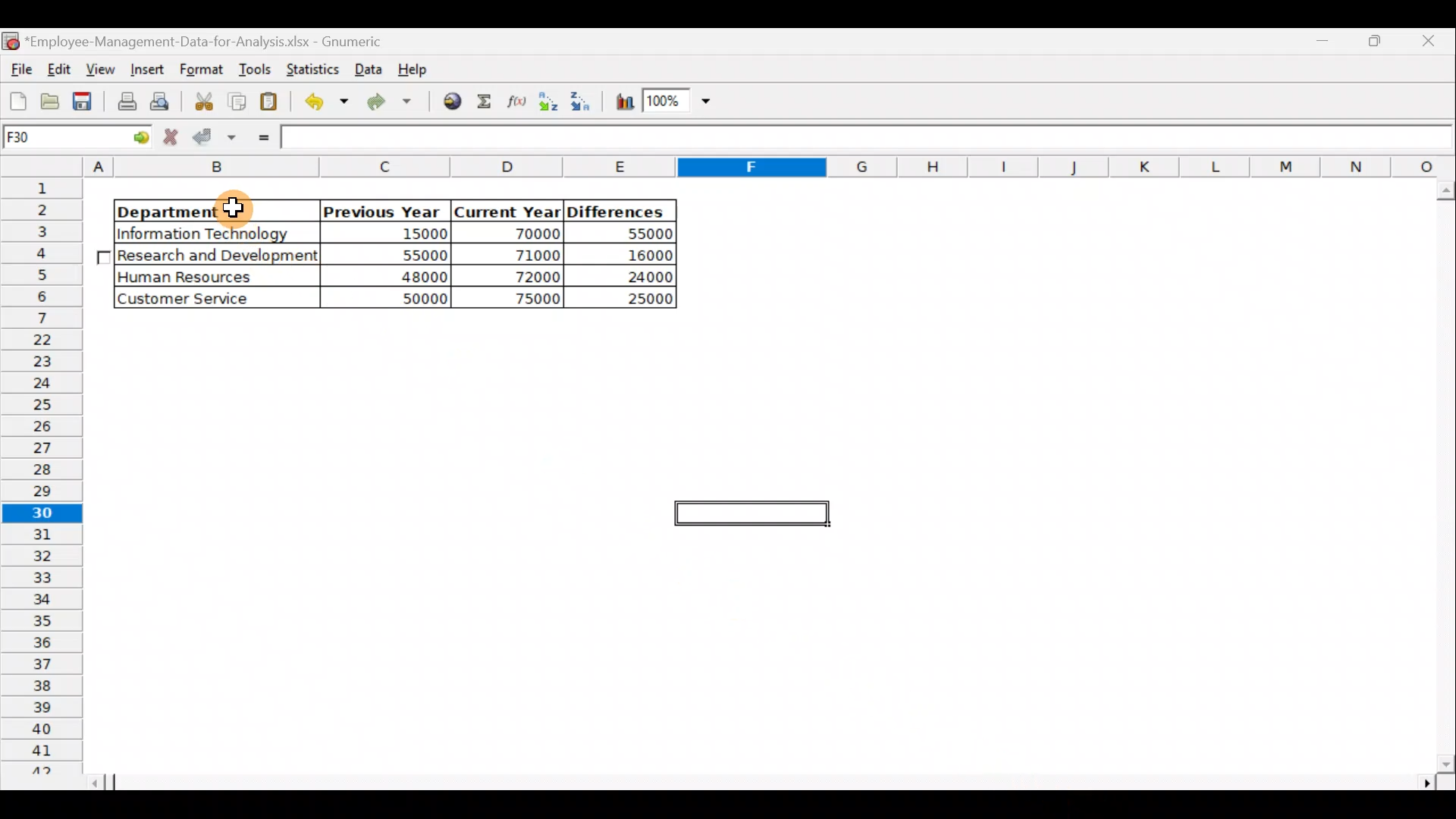 This screenshot has width=1456, height=819. I want to click on Paste the clipboard, so click(272, 102).